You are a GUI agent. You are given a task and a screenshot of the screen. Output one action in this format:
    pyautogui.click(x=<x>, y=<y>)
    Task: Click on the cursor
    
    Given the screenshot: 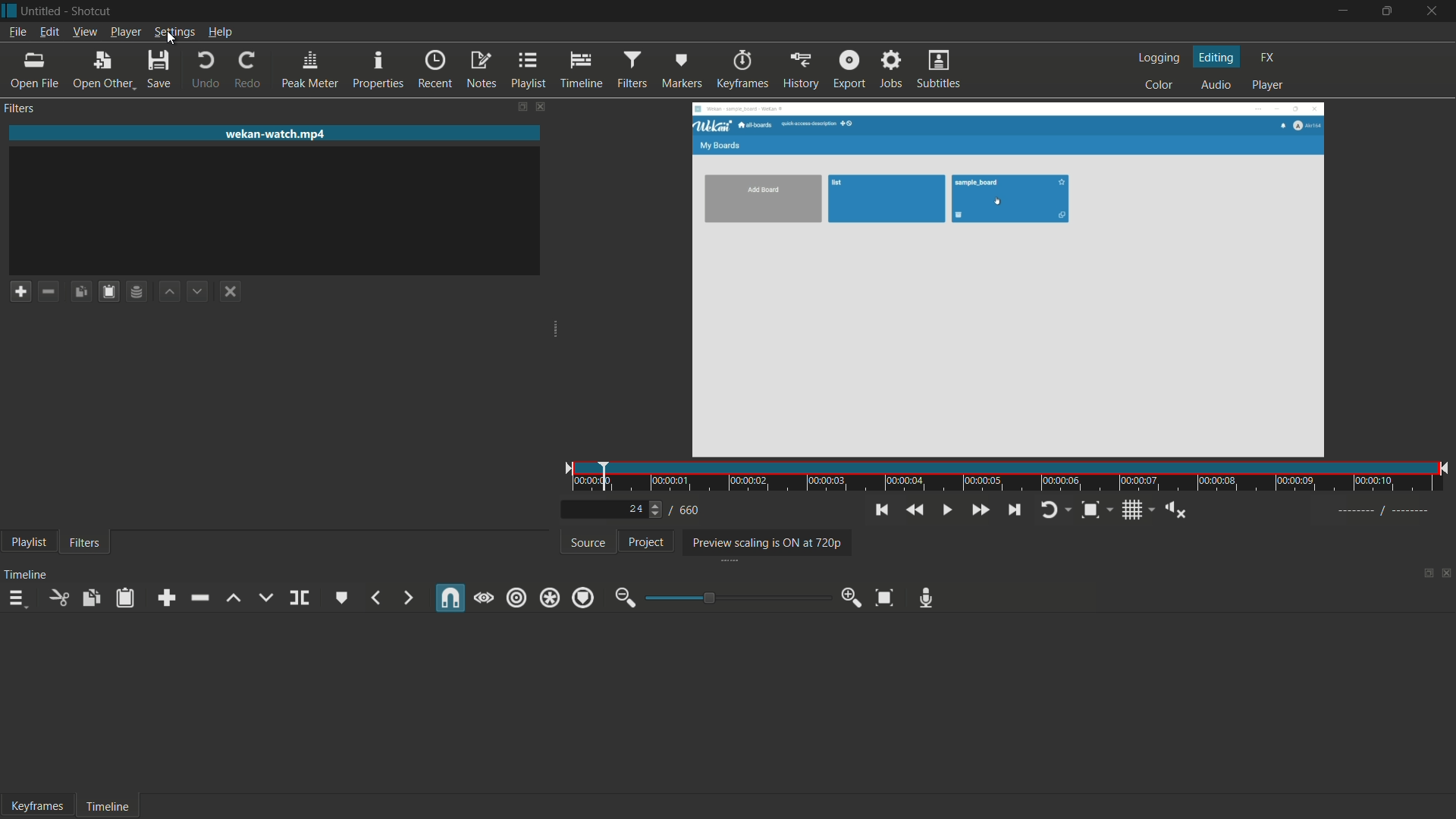 What is the action you would take?
    pyautogui.click(x=171, y=42)
    